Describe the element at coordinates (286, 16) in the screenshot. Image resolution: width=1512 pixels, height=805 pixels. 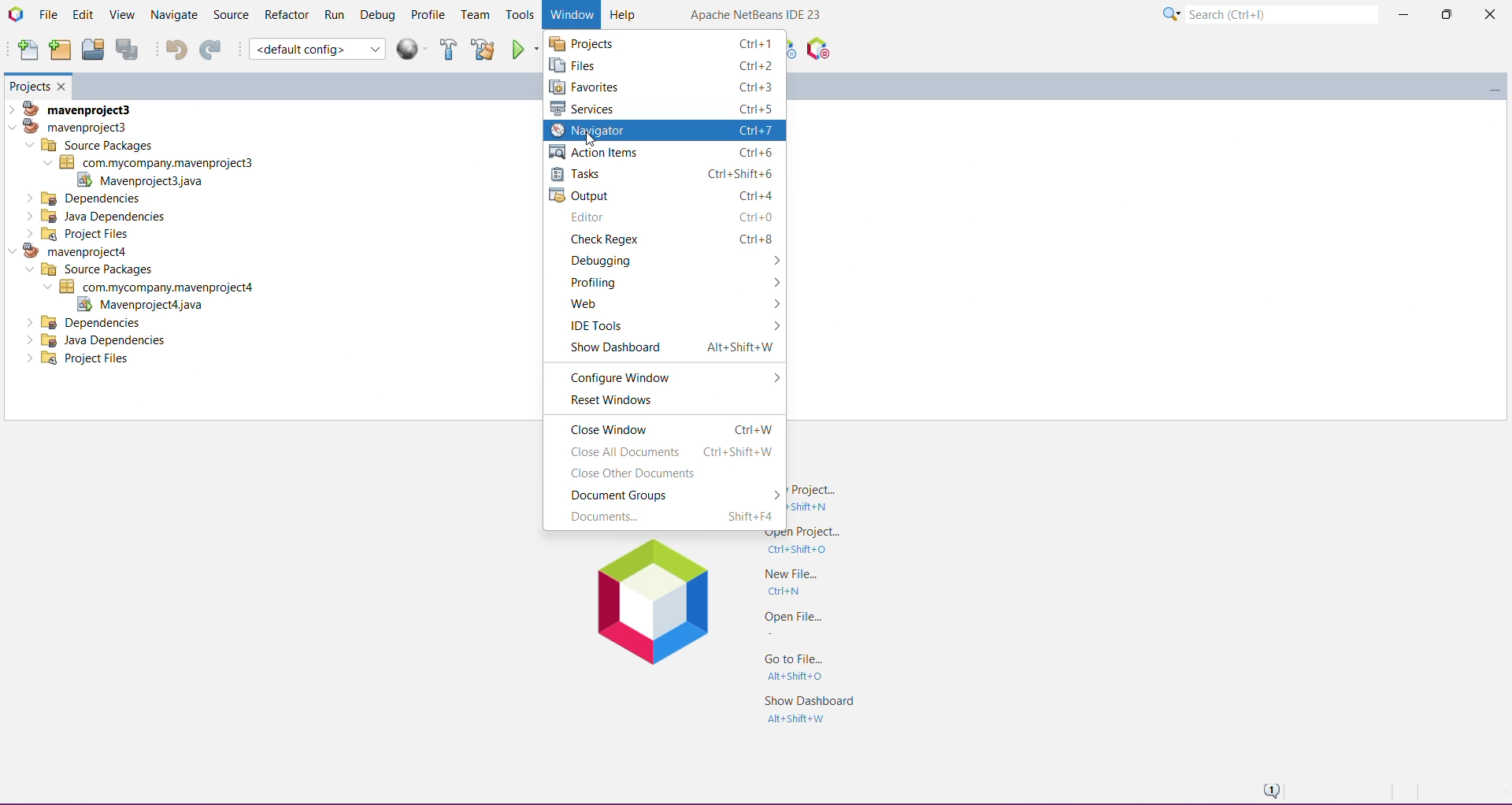
I see `Refactor` at that location.